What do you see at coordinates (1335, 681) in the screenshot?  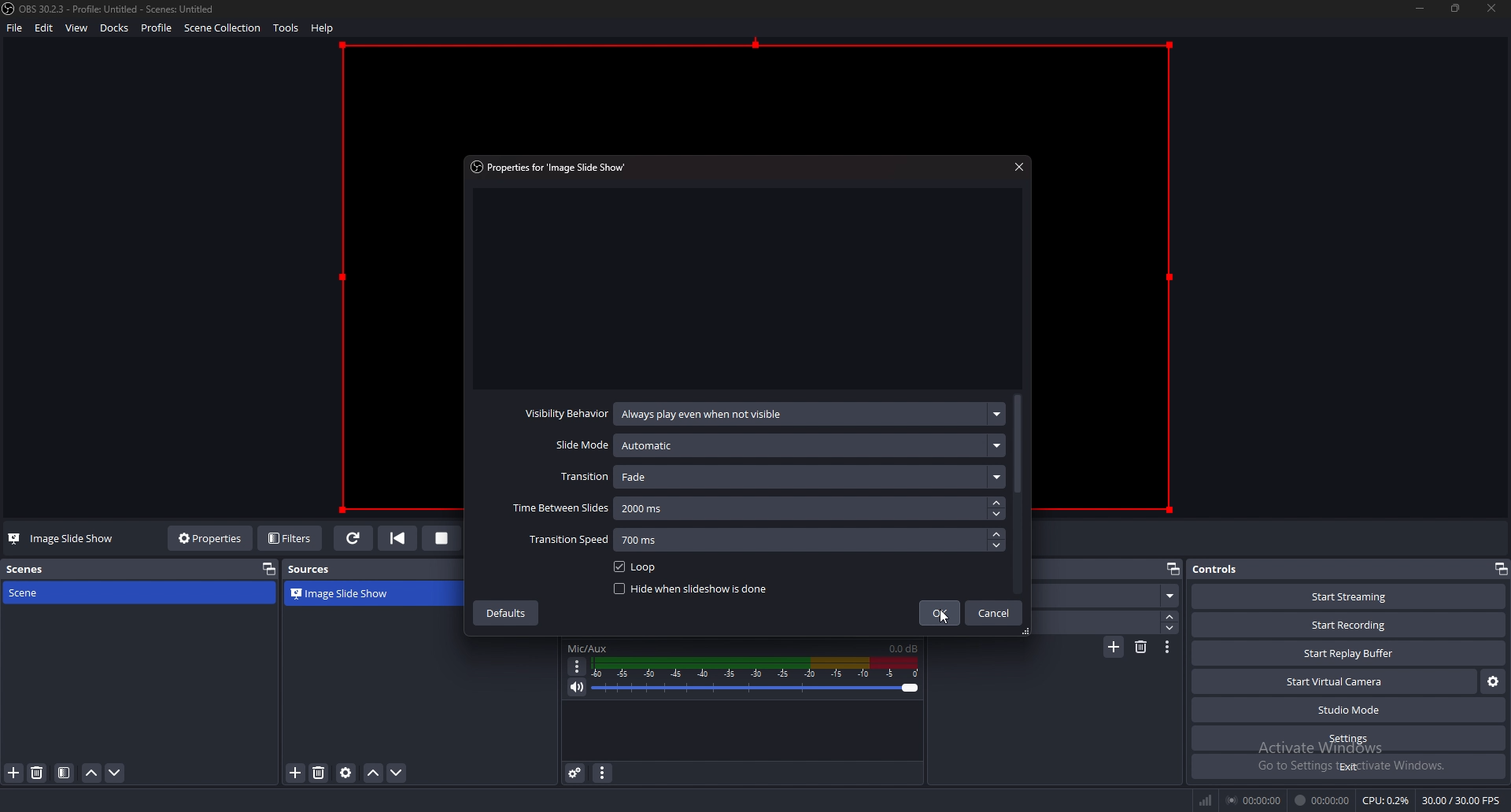 I see `start virtual camera` at bounding box center [1335, 681].